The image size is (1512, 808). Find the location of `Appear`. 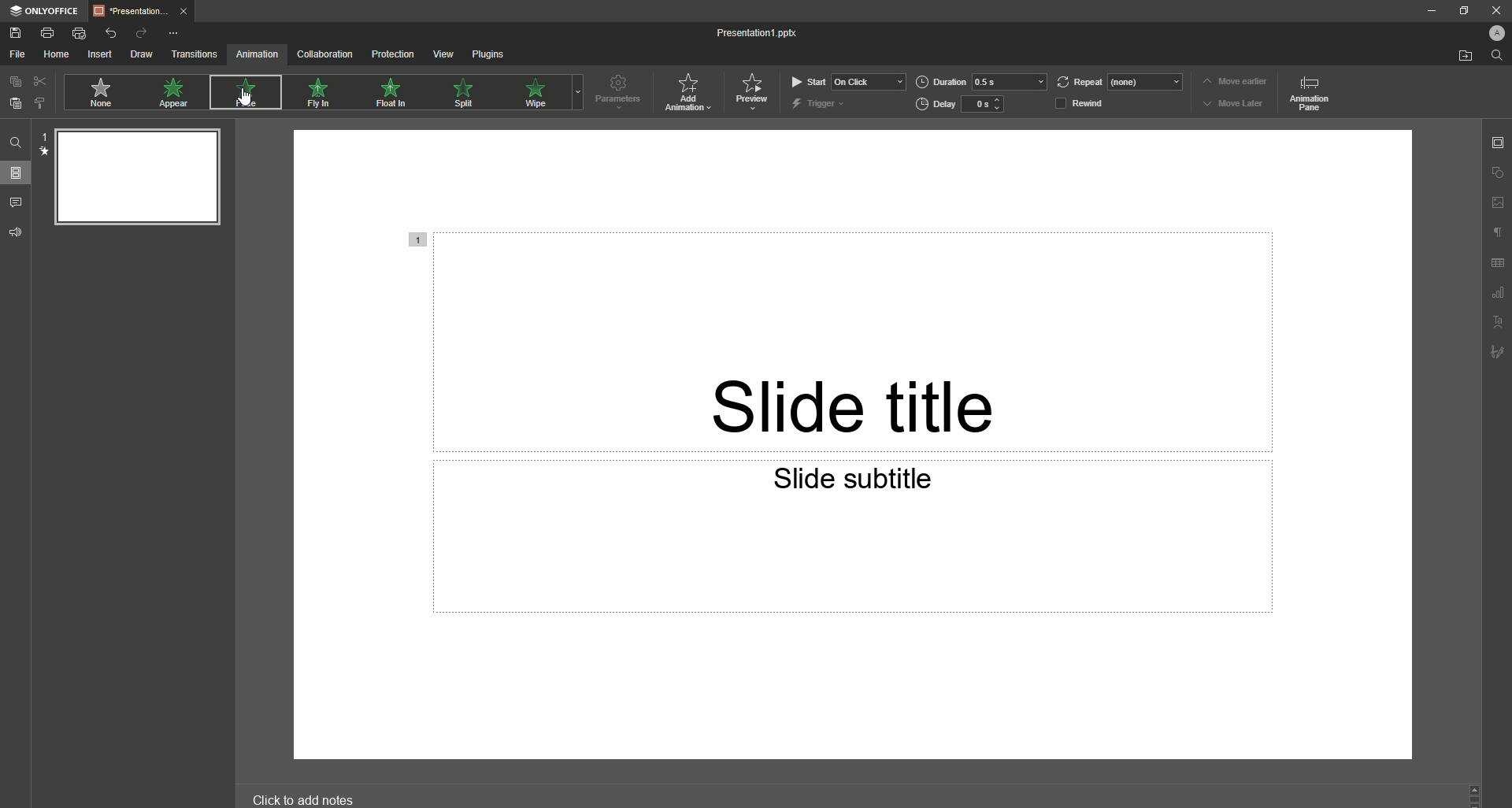

Appear is located at coordinates (176, 95).